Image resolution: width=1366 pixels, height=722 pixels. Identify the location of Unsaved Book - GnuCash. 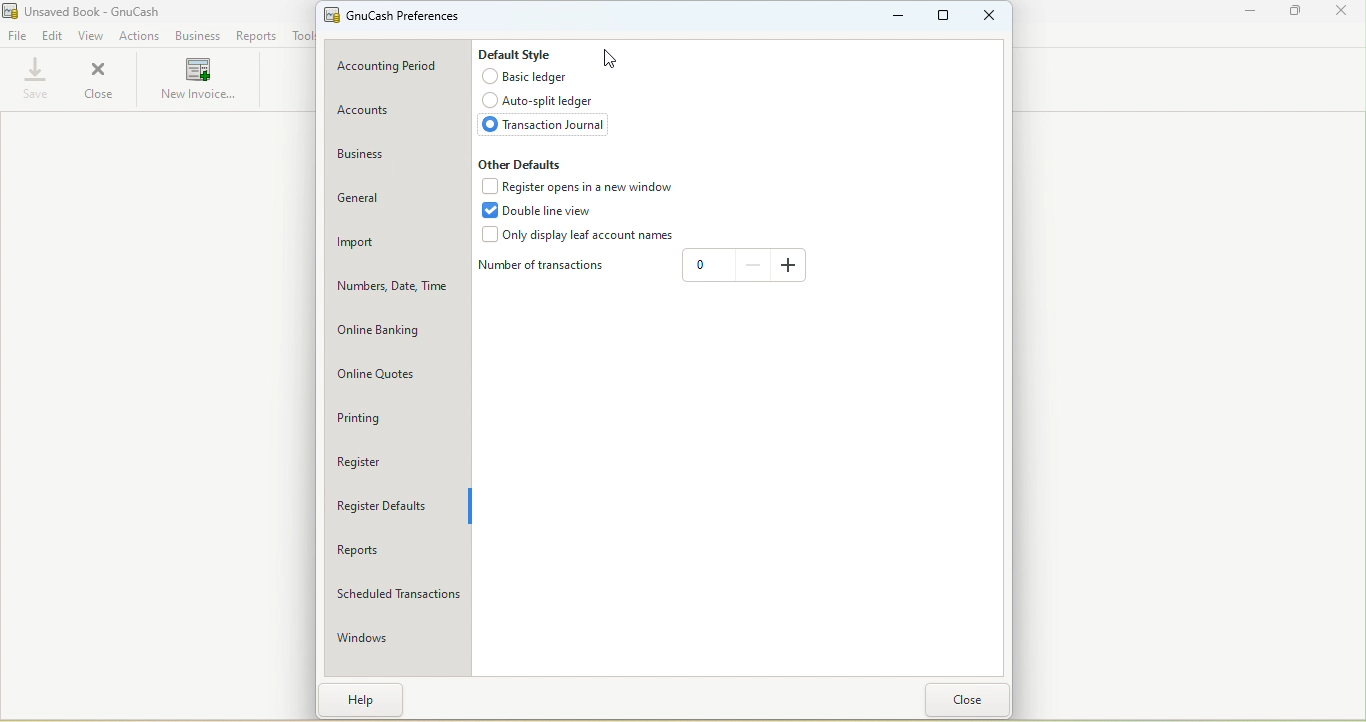
(92, 11).